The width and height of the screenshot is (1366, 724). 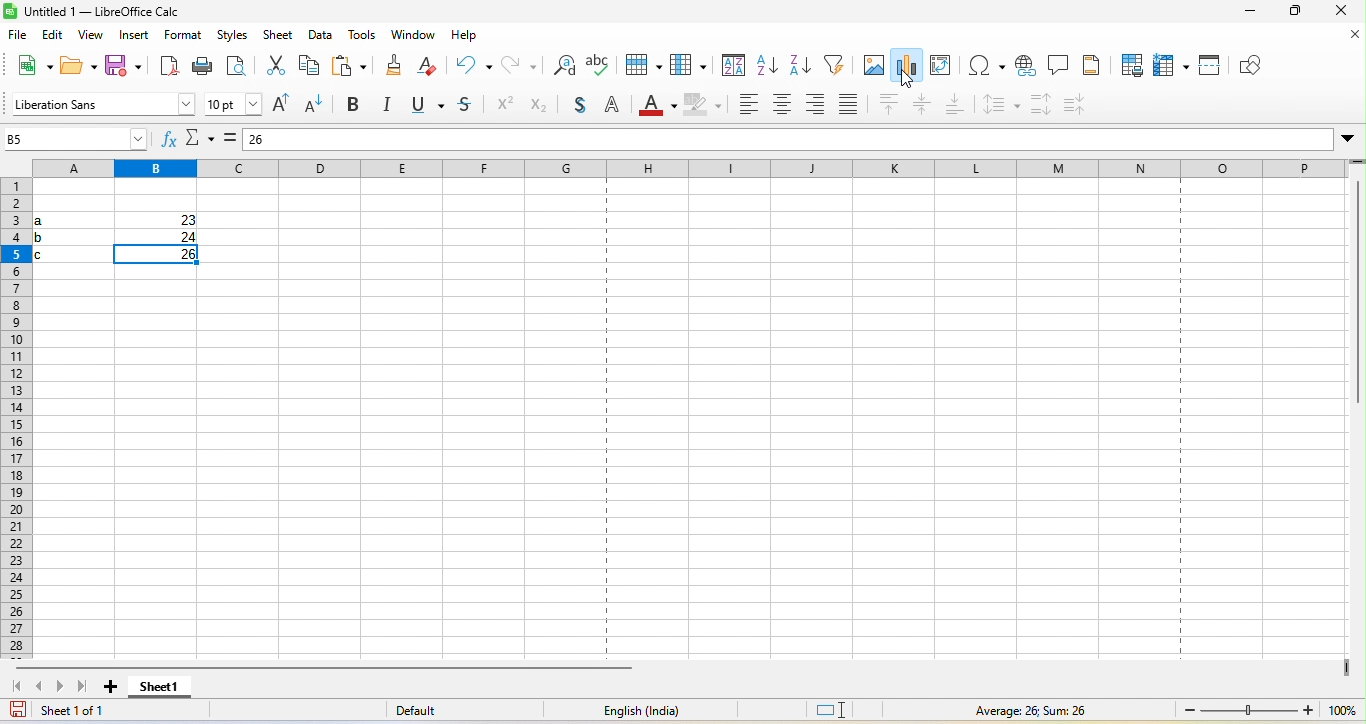 I want to click on special character, so click(x=986, y=65).